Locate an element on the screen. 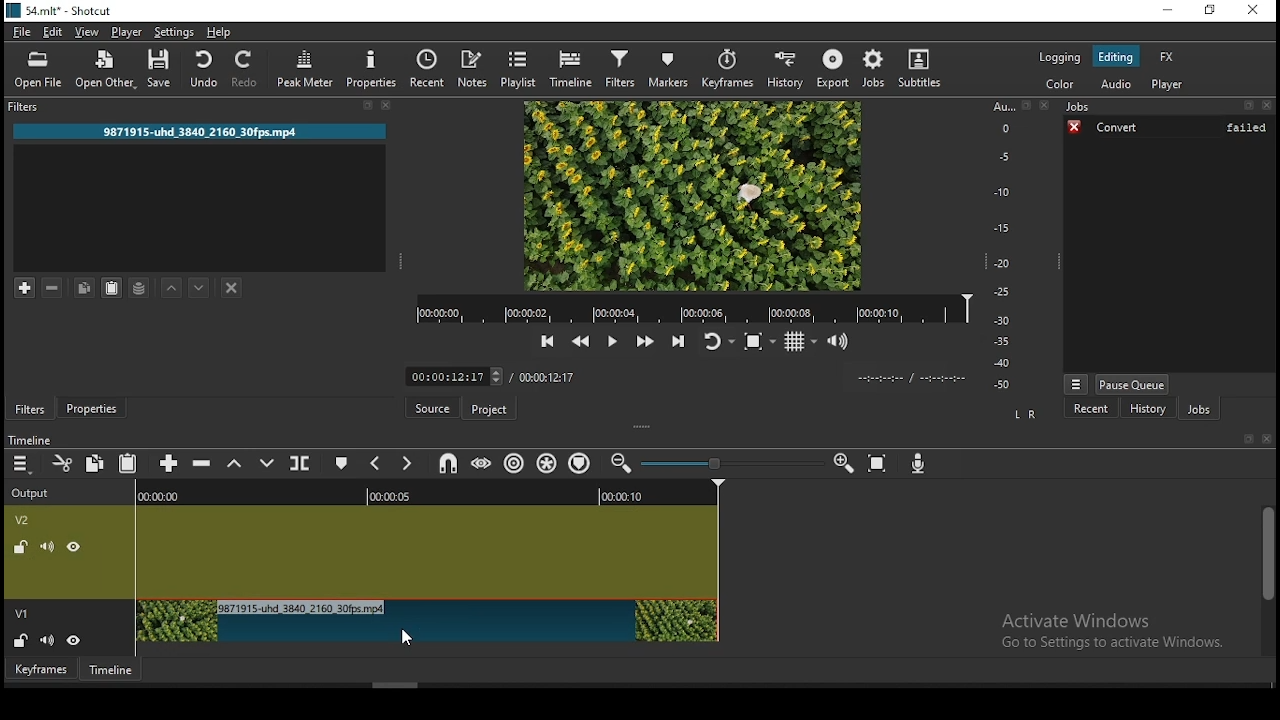 The width and height of the screenshot is (1280, 720). export is located at coordinates (831, 68).